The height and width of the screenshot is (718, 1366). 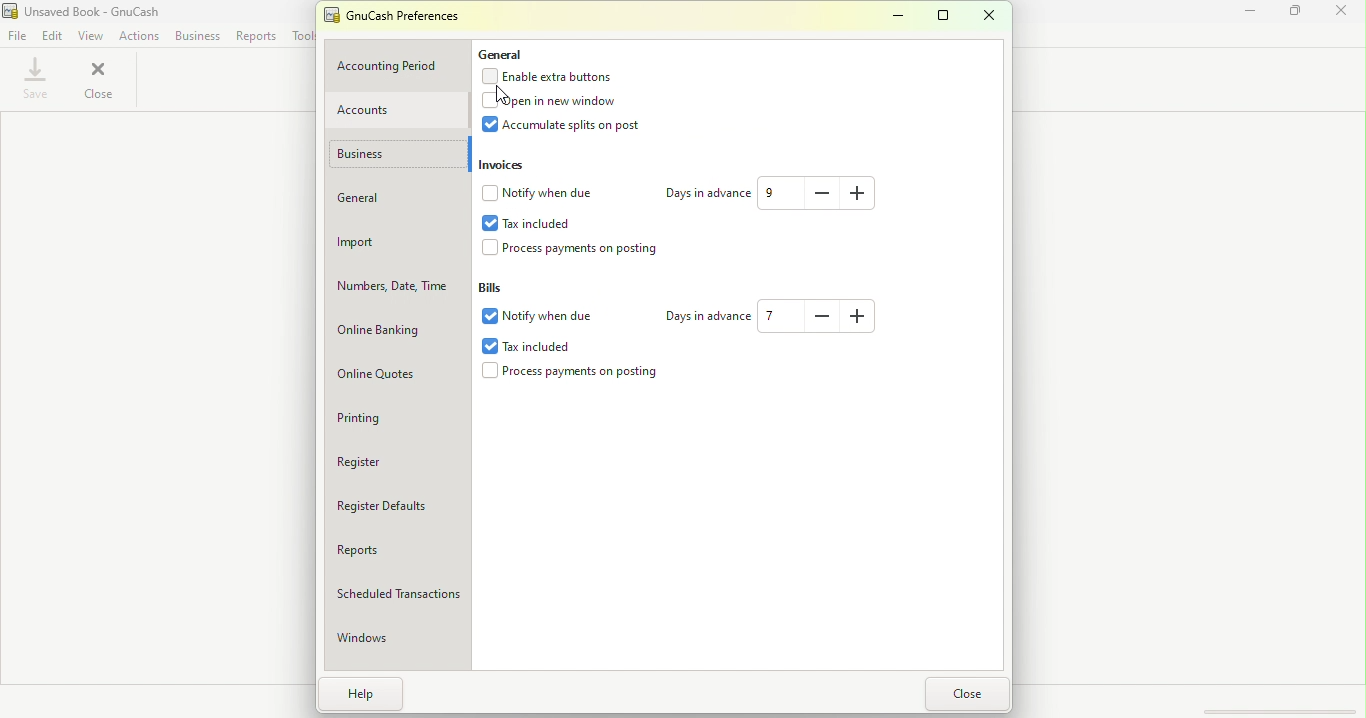 I want to click on Printing, so click(x=395, y=417).